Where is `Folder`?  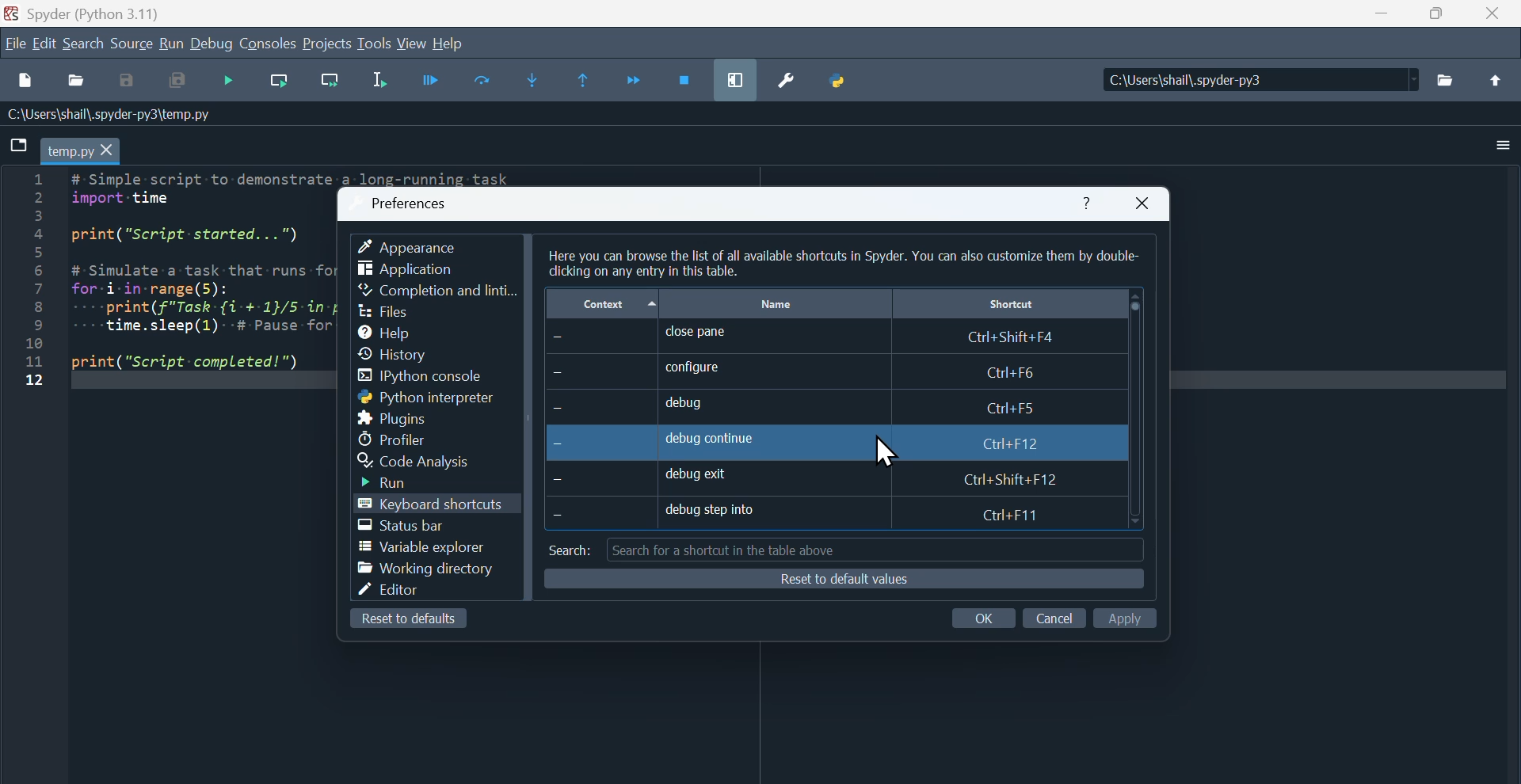
Folder is located at coordinates (1451, 83).